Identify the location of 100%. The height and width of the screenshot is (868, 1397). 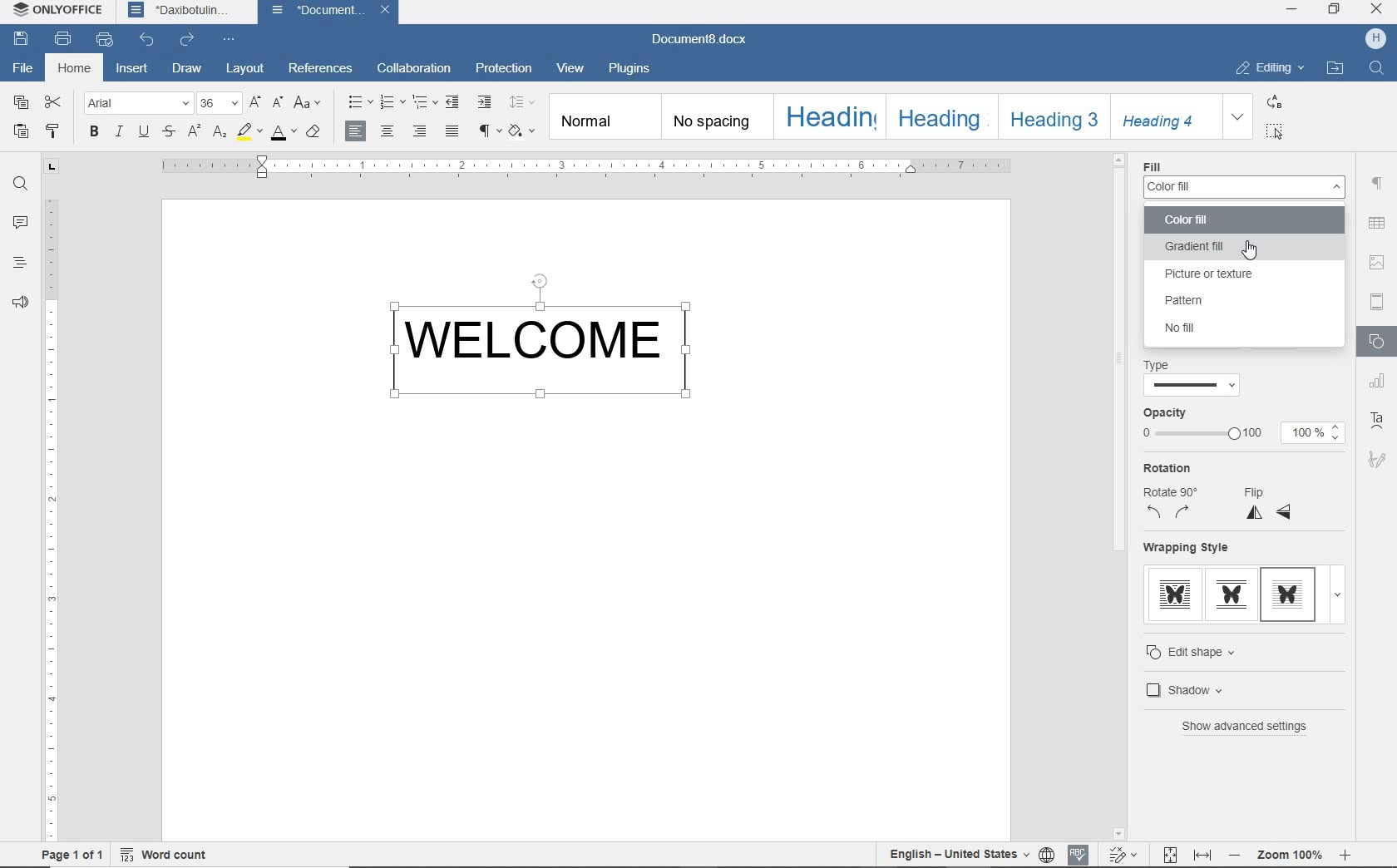
(1303, 433).